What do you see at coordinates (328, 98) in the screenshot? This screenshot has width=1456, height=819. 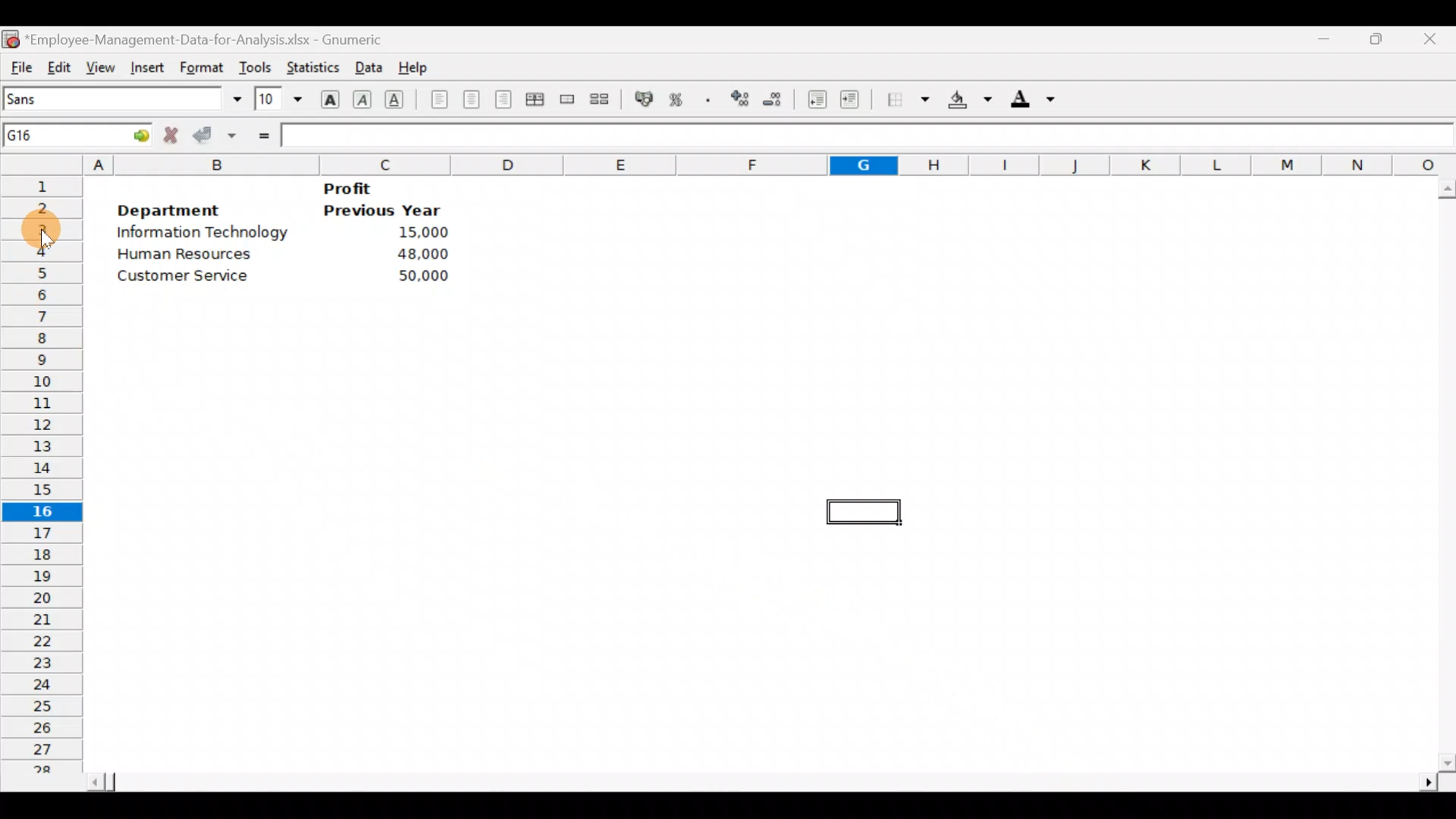 I see `Bold` at bounding box center [328, 98].